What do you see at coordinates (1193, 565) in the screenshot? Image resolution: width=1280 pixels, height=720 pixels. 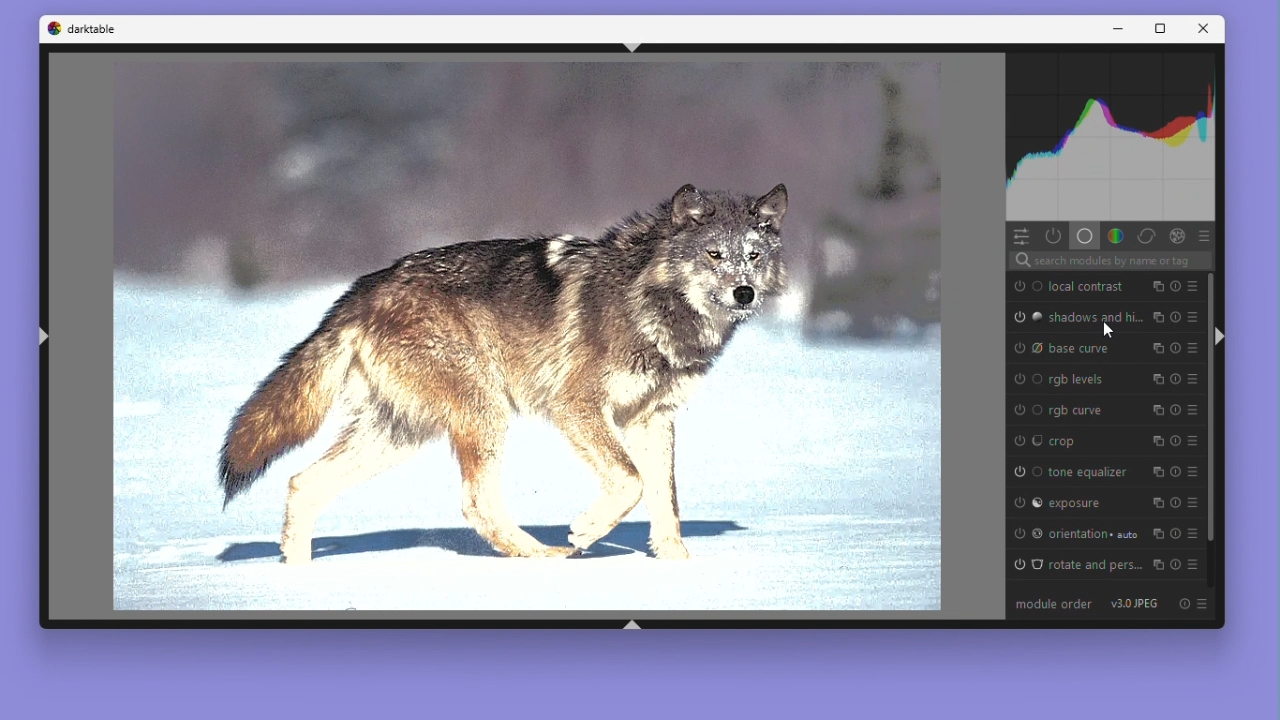 I see `presets` at bounding box center [1193, 565].